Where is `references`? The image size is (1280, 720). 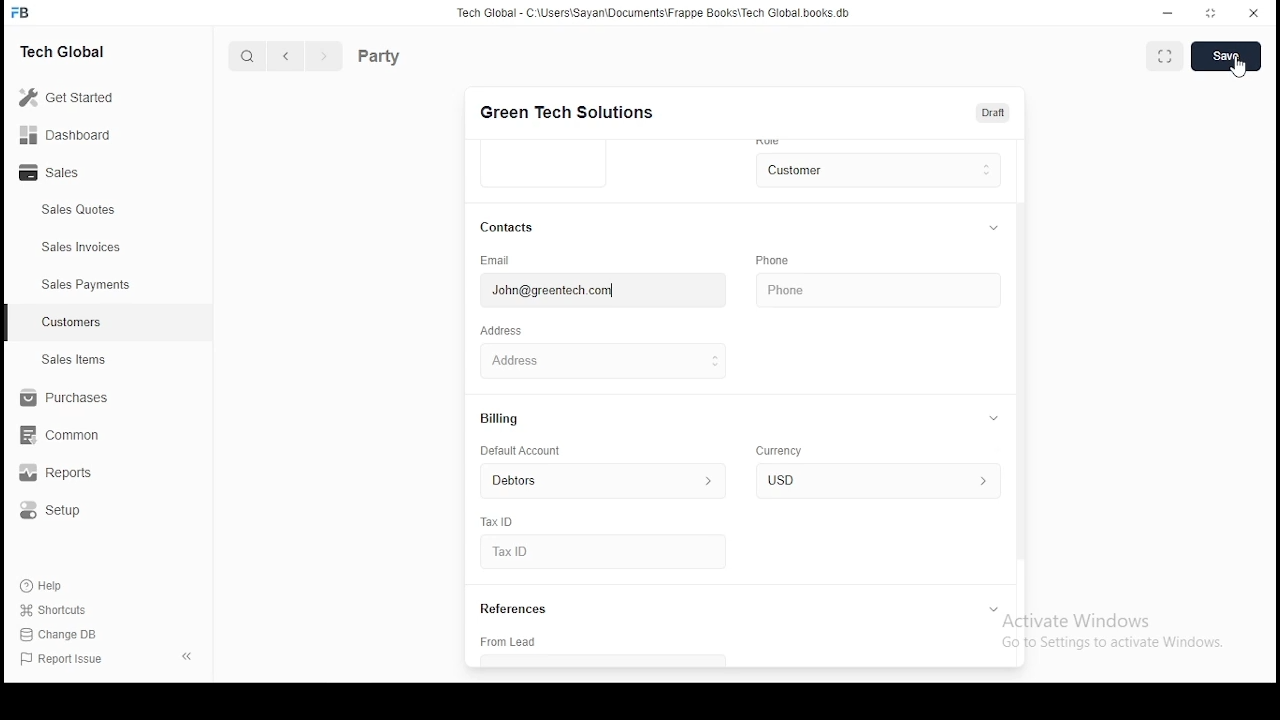 references is located at coordinates (525, 609).